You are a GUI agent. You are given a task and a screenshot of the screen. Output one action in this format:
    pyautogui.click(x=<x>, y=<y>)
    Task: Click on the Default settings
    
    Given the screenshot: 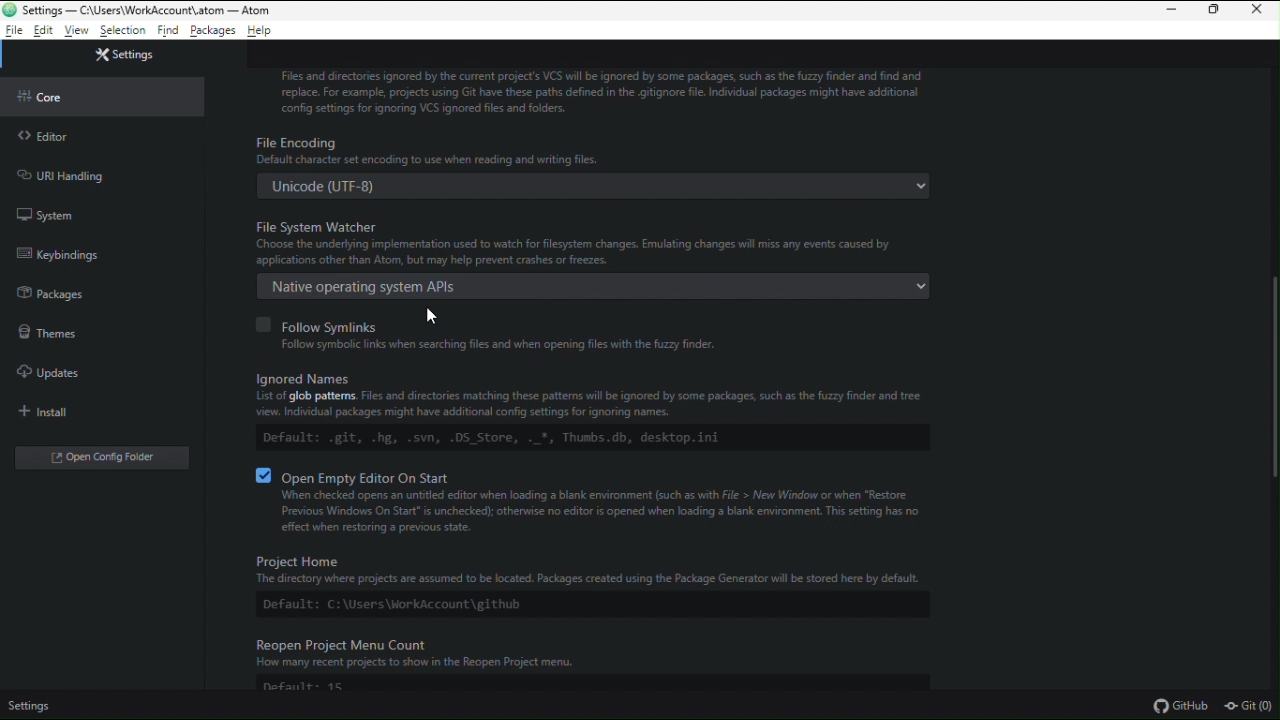 What is the action you would take?
    pyautogui.click(x=123, y=286)
    